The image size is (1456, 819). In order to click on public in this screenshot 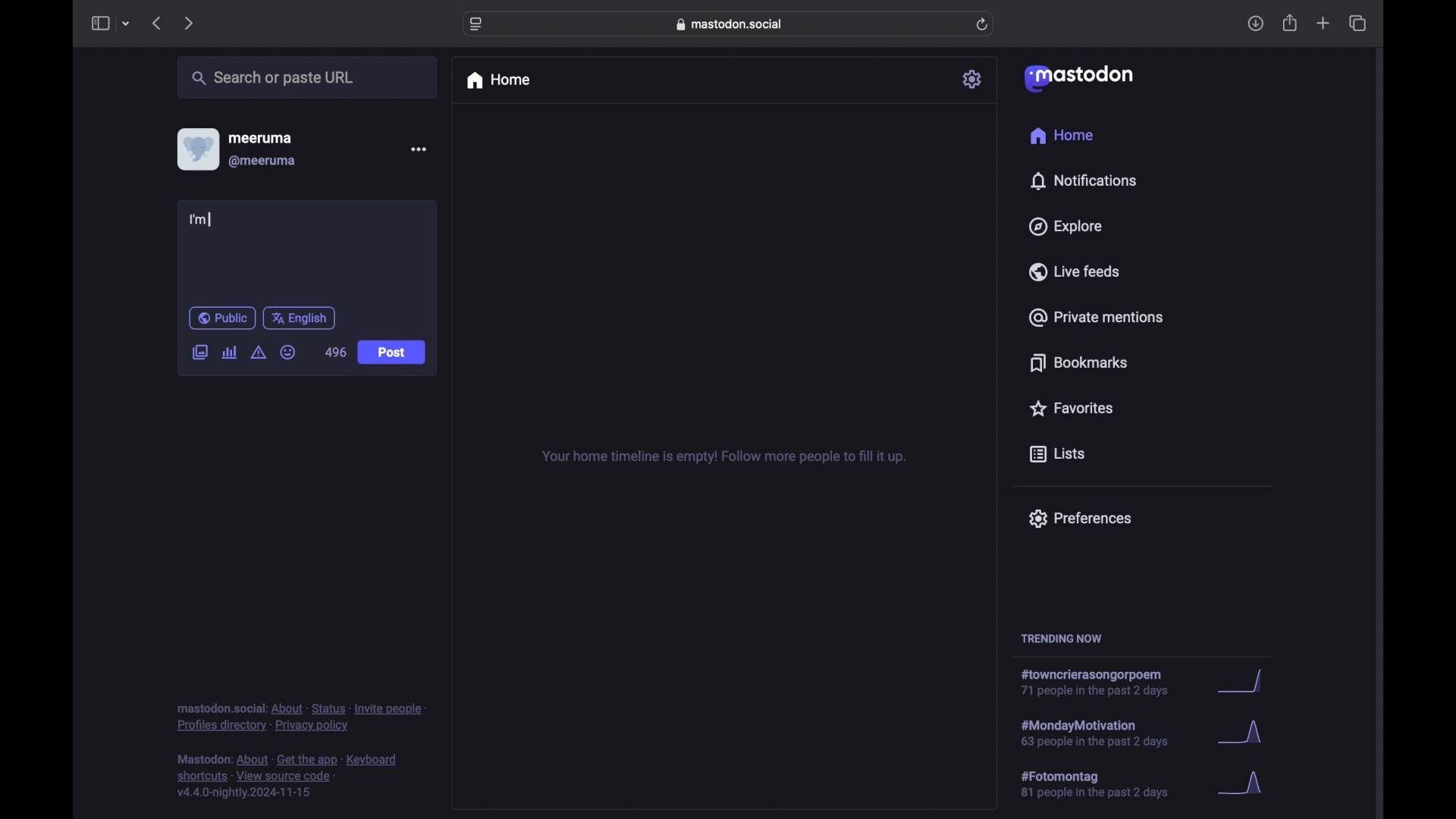, I will do `click(222, 318)`.